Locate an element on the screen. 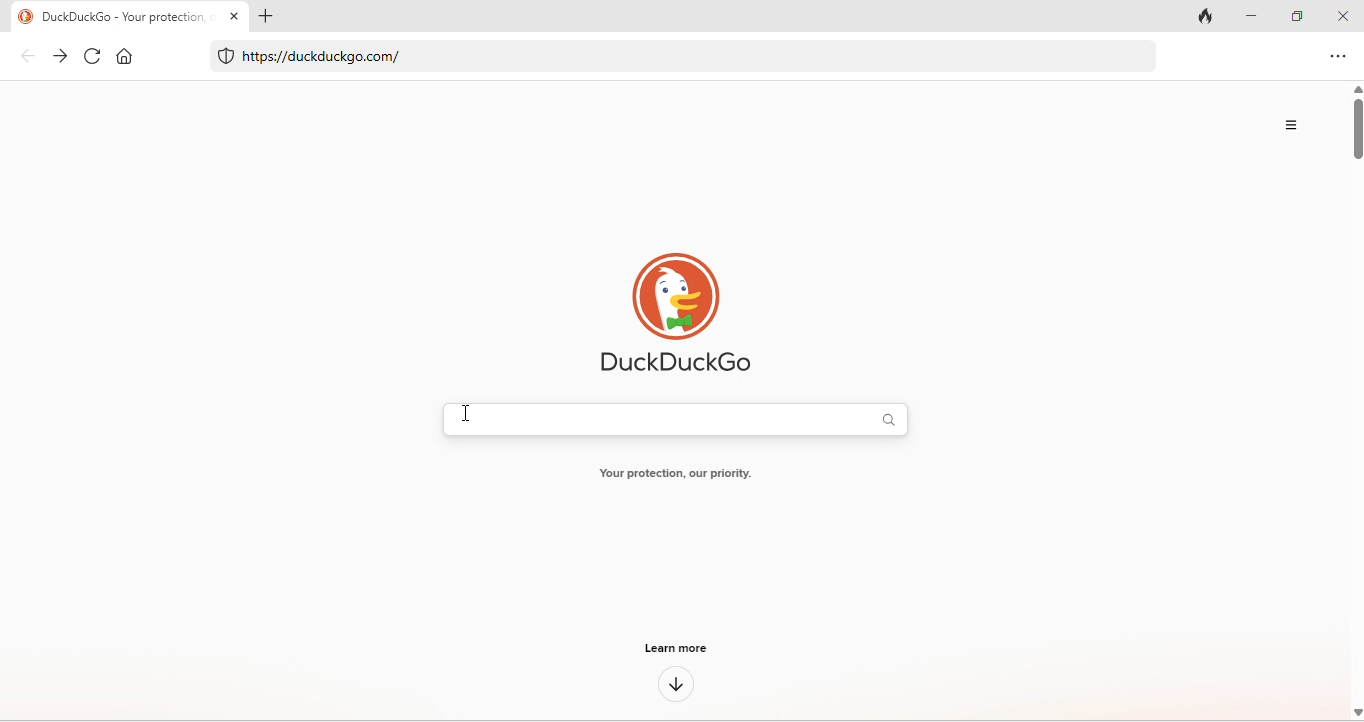 Image resolution: width=1364 pixels, height=722 pixels. cursor is located at coordinates (464, 414).